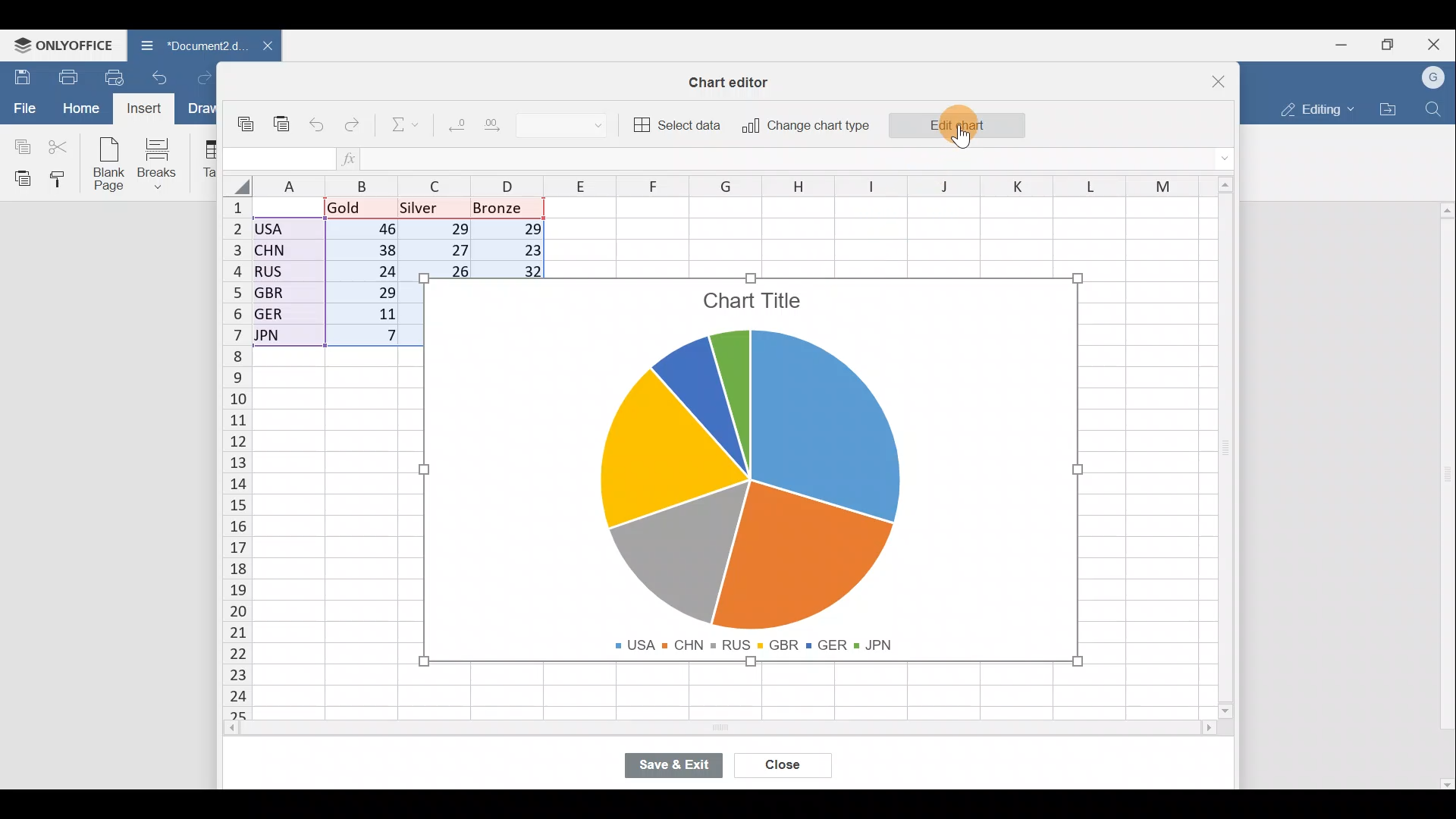 The image size is (1456, 819). I want to click on File, so click(23, 107).